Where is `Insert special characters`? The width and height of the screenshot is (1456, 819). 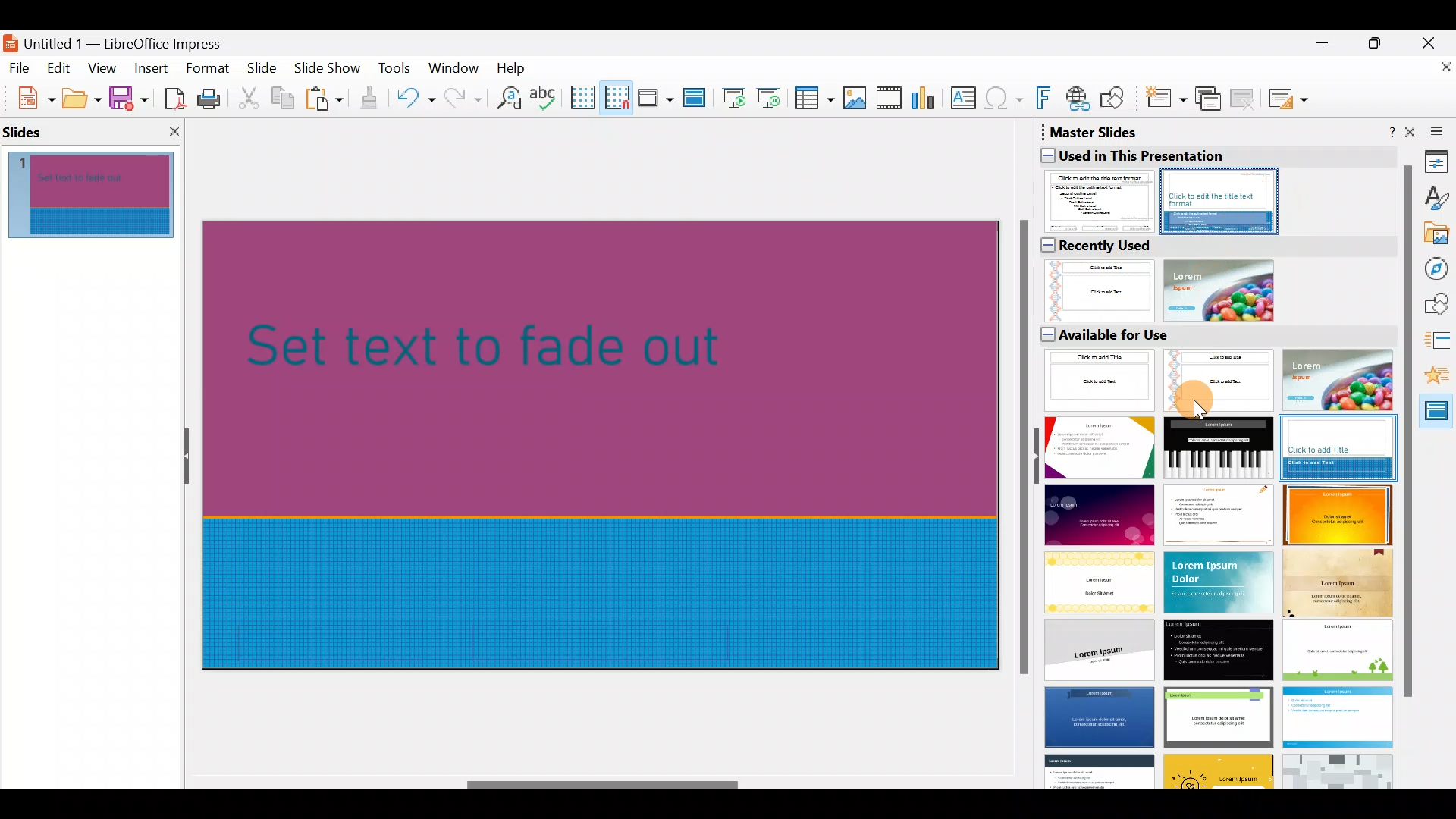
Insert special characters is located at coordinates (1006, 100).